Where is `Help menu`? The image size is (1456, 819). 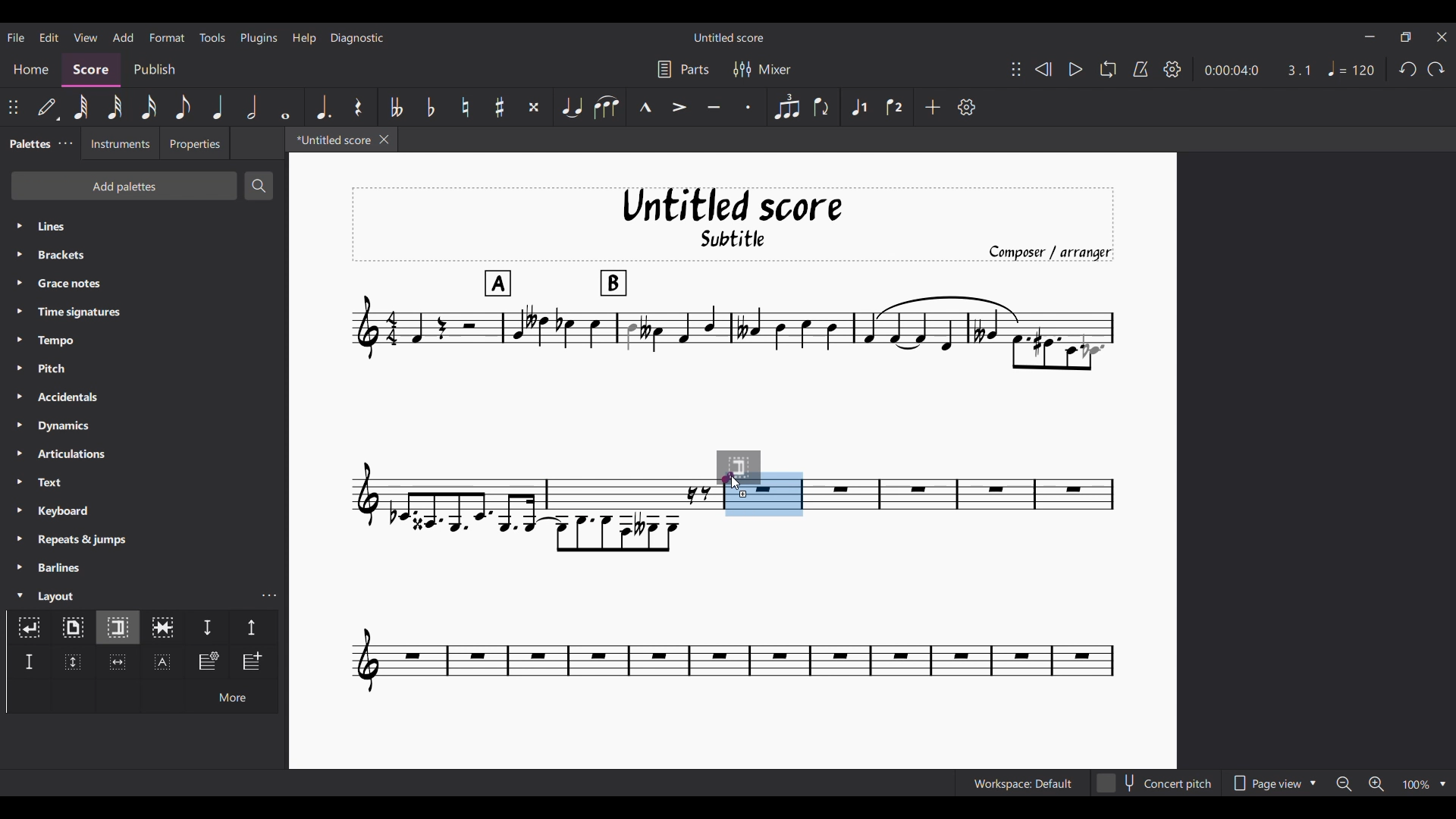
Help menu is located at coordinates (304, 38).